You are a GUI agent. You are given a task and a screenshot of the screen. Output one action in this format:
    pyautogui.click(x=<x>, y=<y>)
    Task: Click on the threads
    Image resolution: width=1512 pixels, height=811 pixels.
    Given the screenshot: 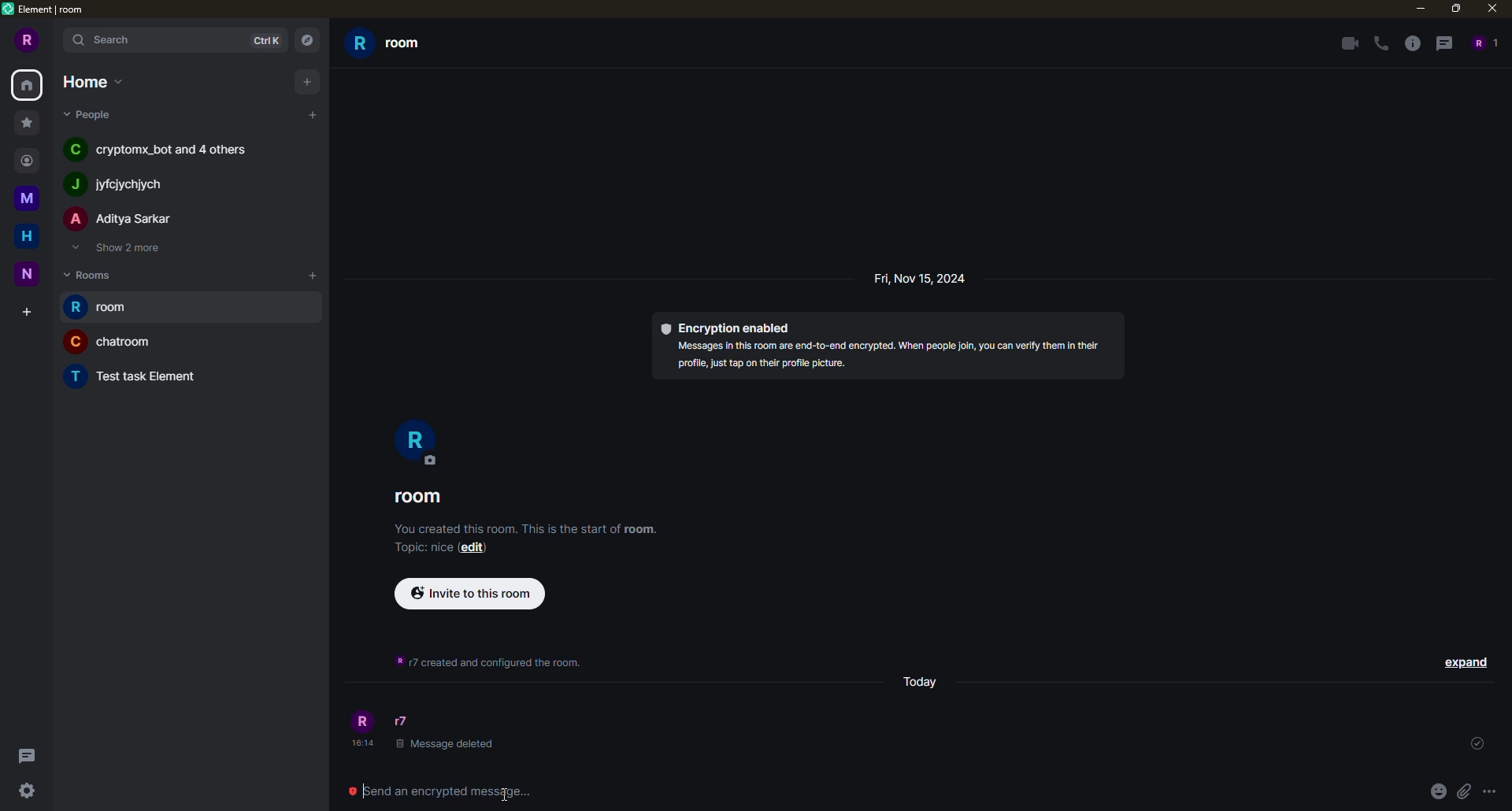 What is the action you would take?
    pyautogui.click(x=27, y=754)
    